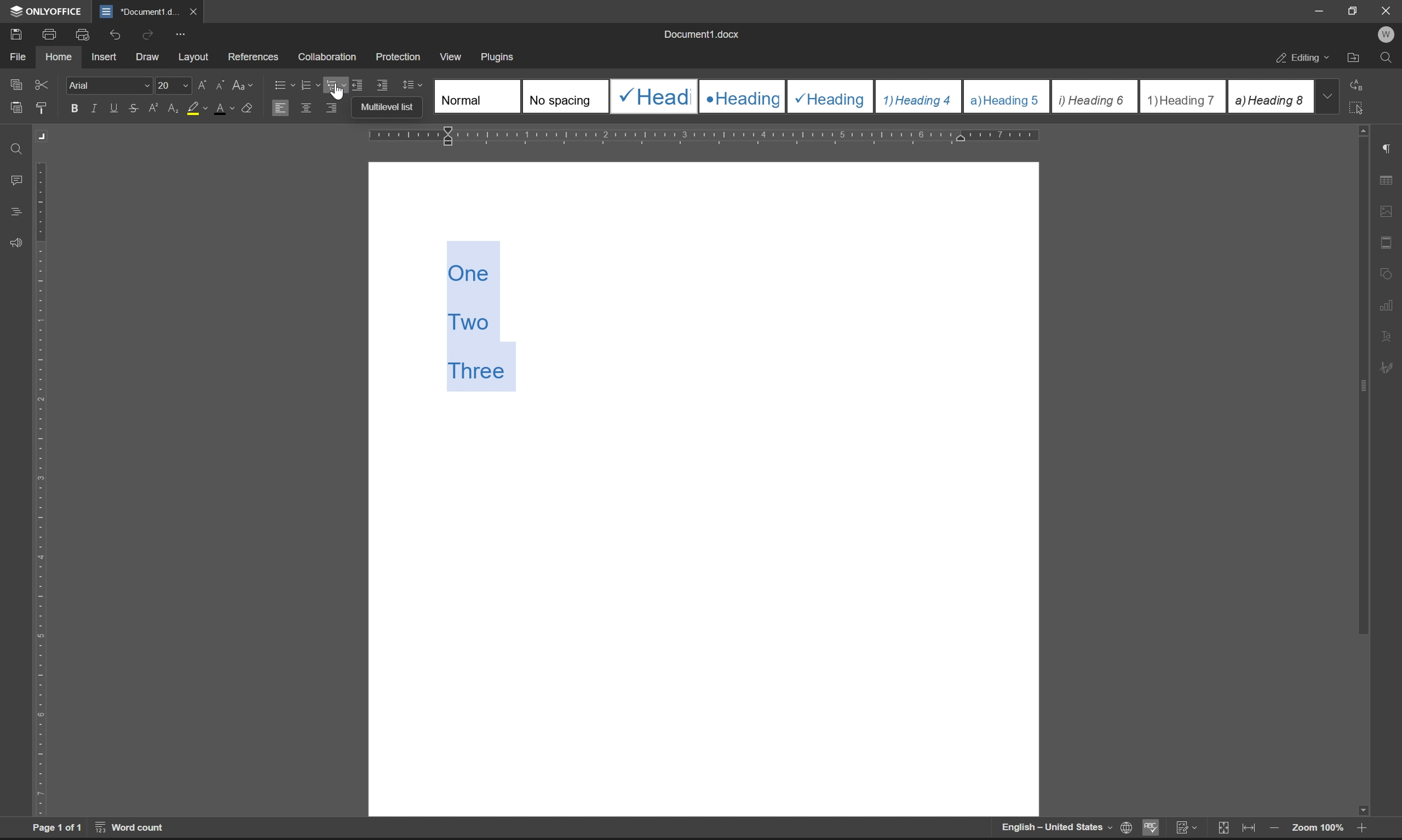 The width and height of the screenshot is (1402, 840). What do you see at coordinates (1007, 96) in the screenshot?
I see `Heading 5` at bounding box center [1007, 96].